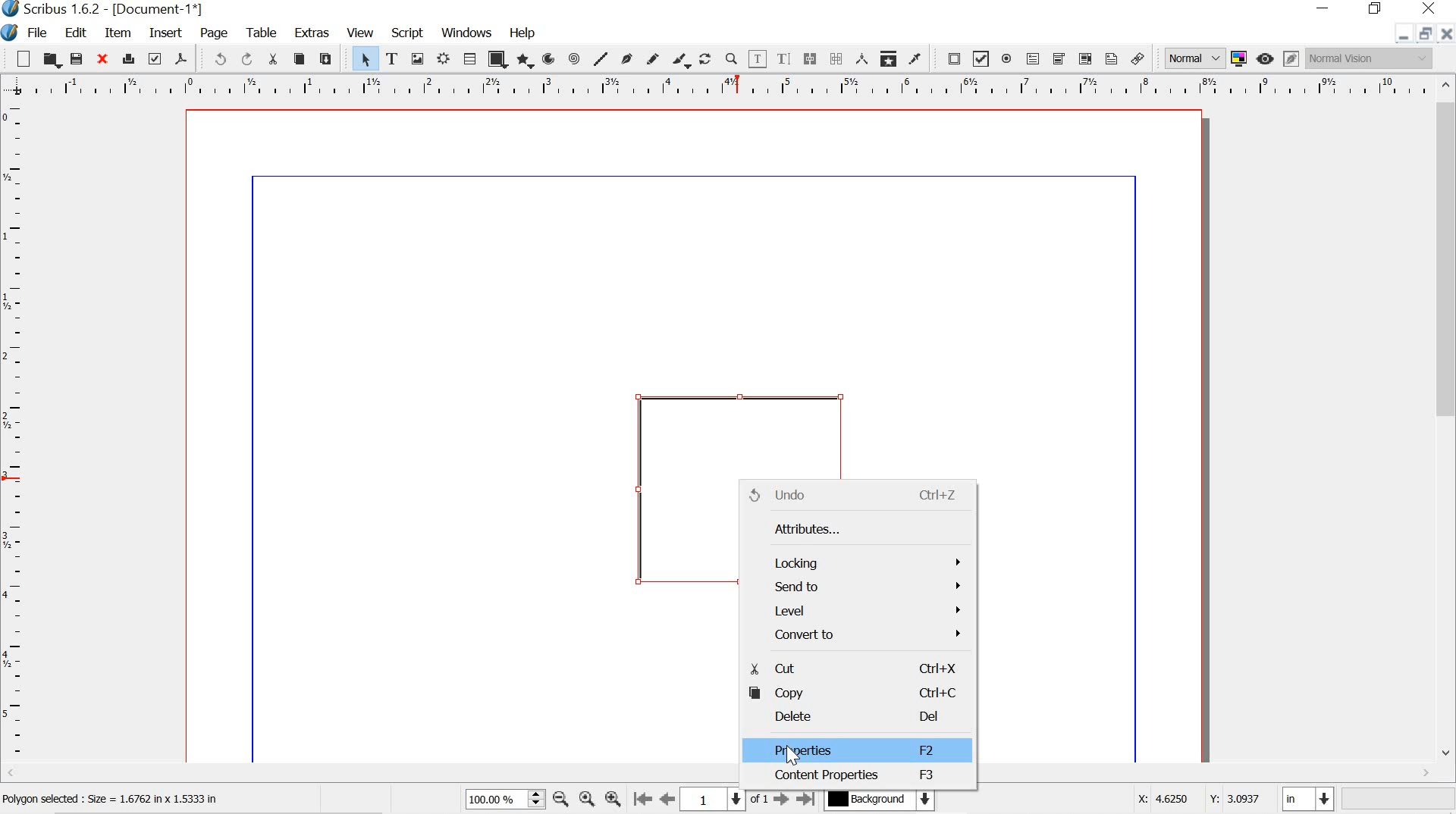  What do you see at coordinates (537, 799) in the screenshot?
I see `zoom in and out` at bounding box center [537, 799].